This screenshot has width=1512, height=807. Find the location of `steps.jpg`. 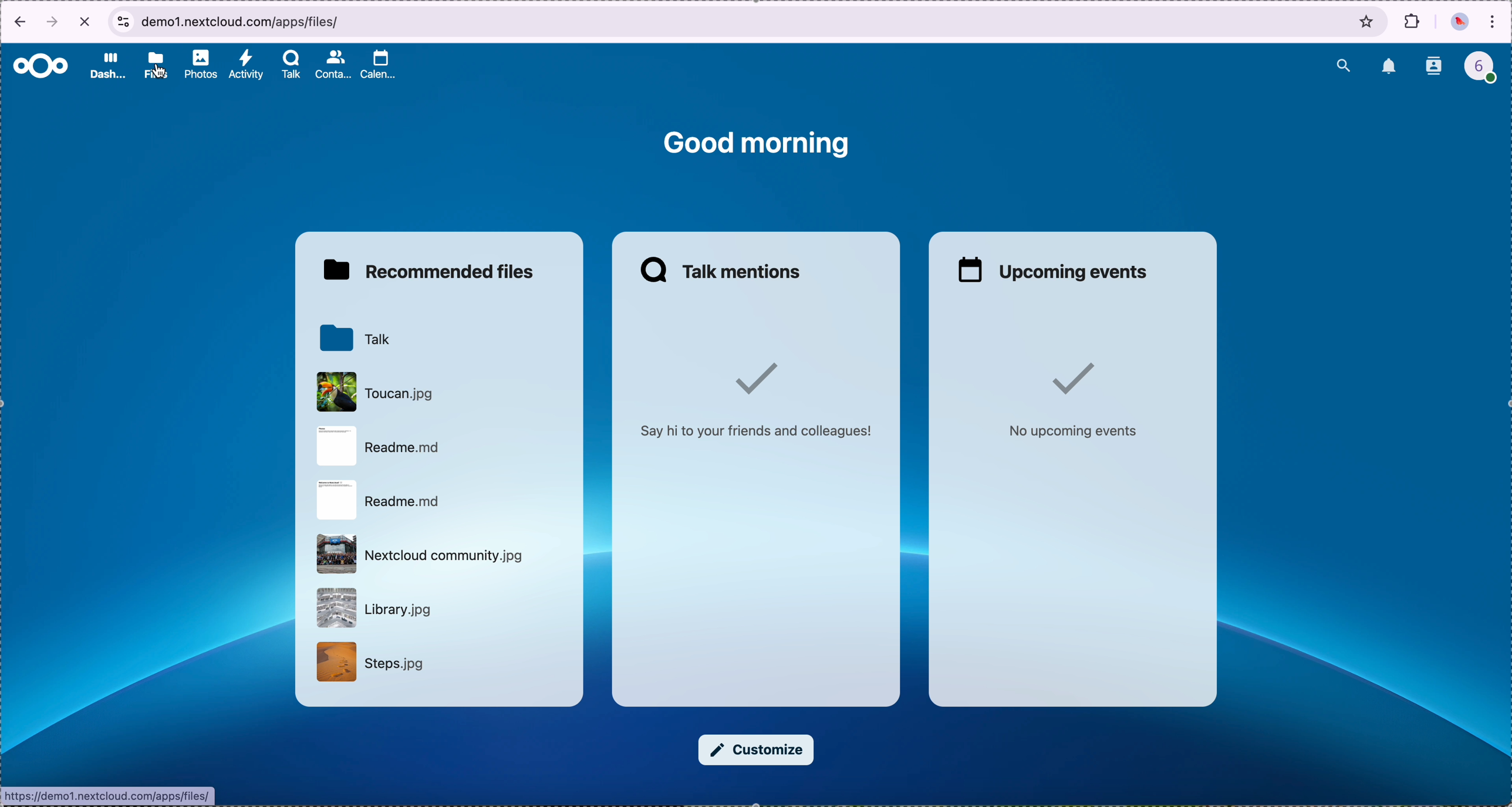

steps.jpg is located at coordinates (367, 662).